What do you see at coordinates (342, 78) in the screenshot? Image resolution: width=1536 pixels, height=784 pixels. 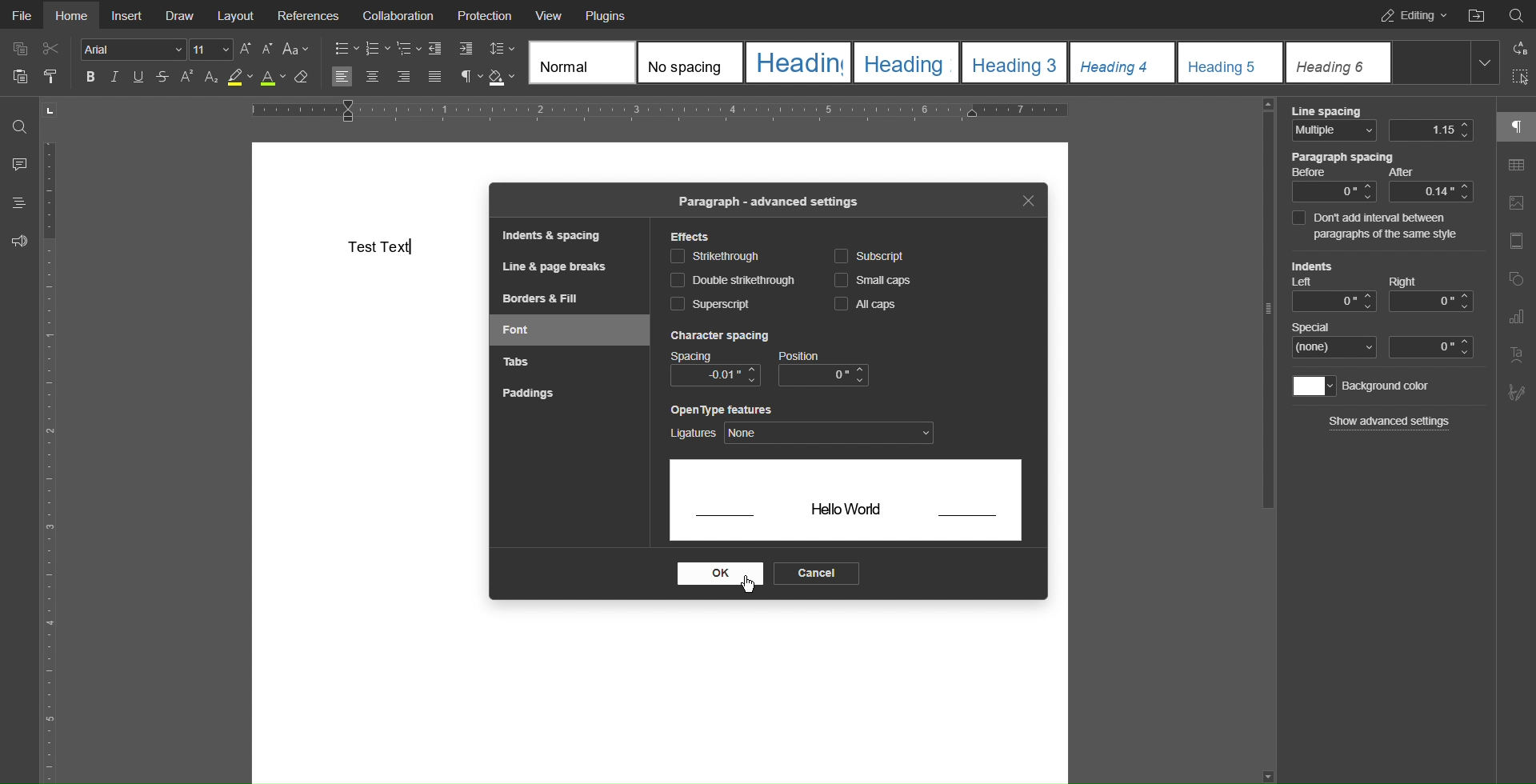 I see `Left Align` at bounding box center [342, 78].